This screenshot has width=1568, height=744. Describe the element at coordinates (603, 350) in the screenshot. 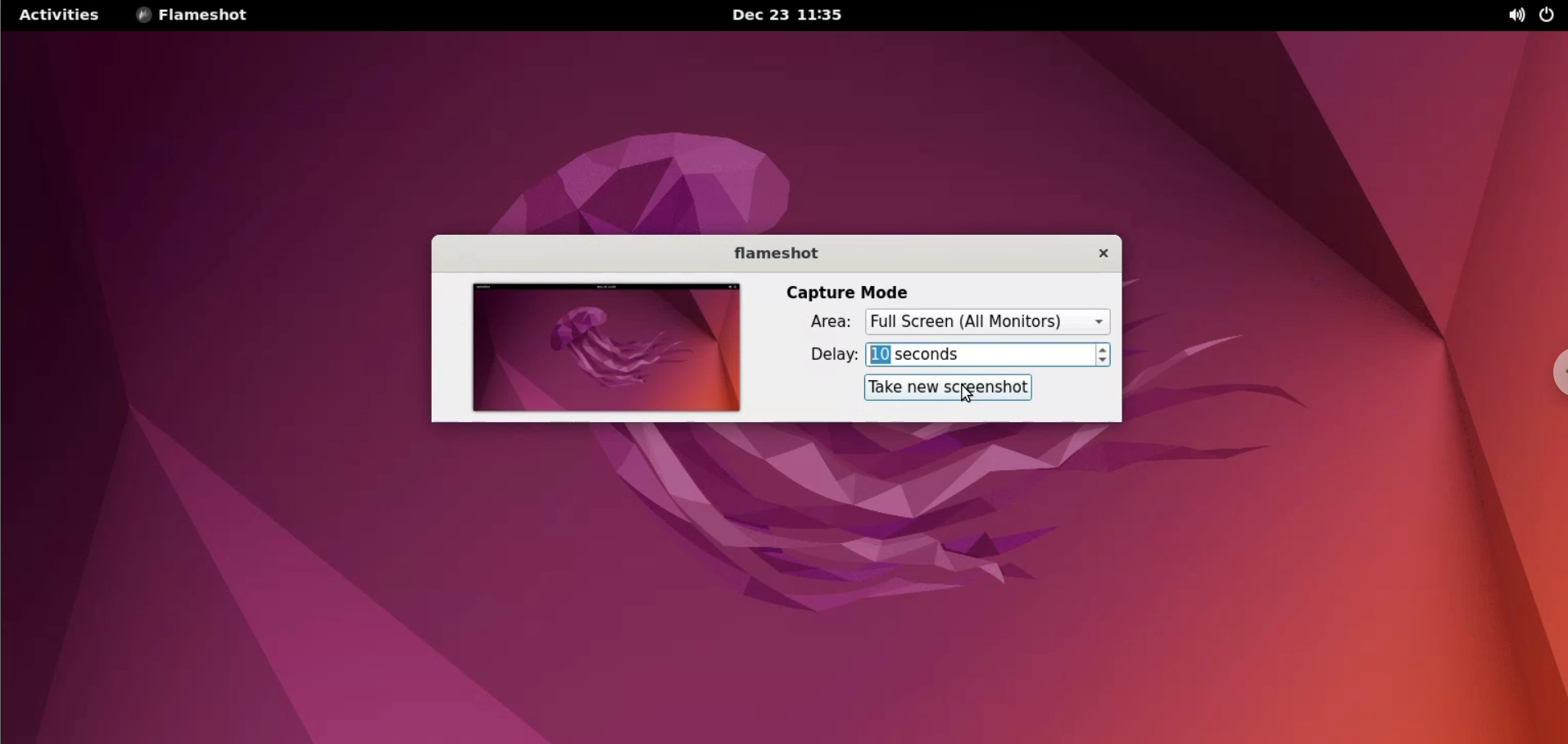

I see `screenshot preview` at that location.